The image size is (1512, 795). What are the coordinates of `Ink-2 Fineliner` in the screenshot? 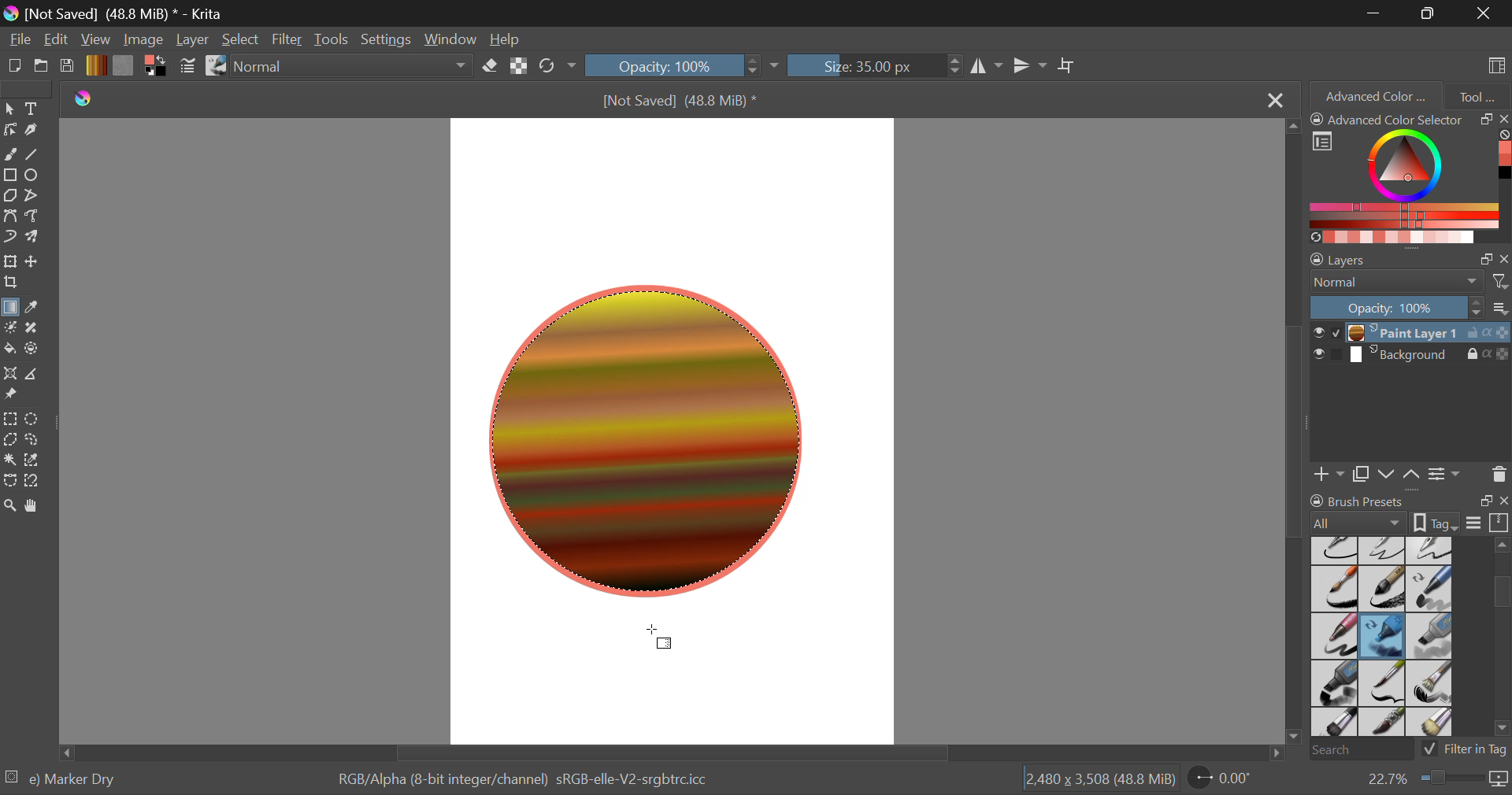 It's located at (1336, 549).